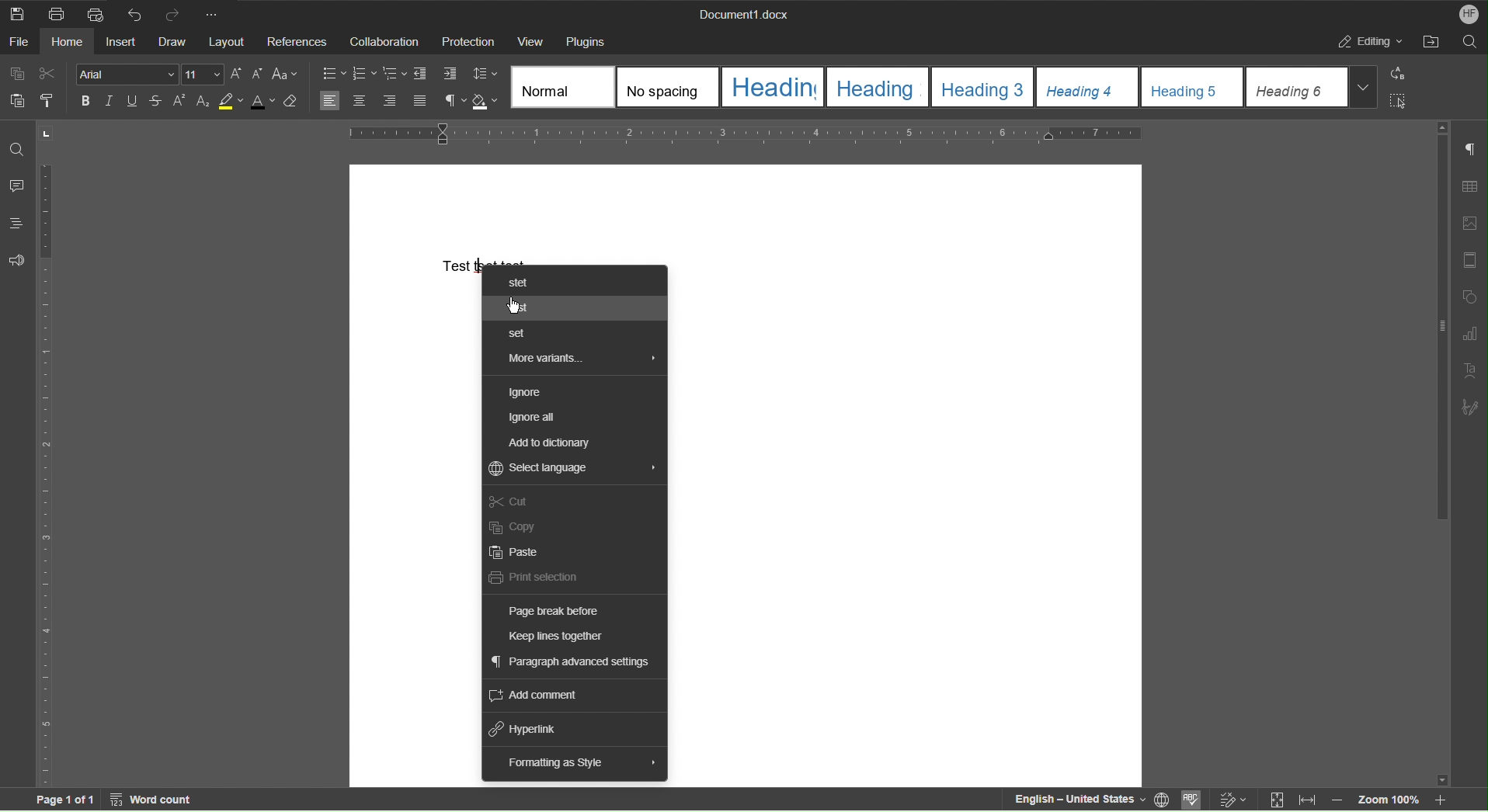 This screenshot has height=812, width=1488. I want to click on Set, so click(521, 333).